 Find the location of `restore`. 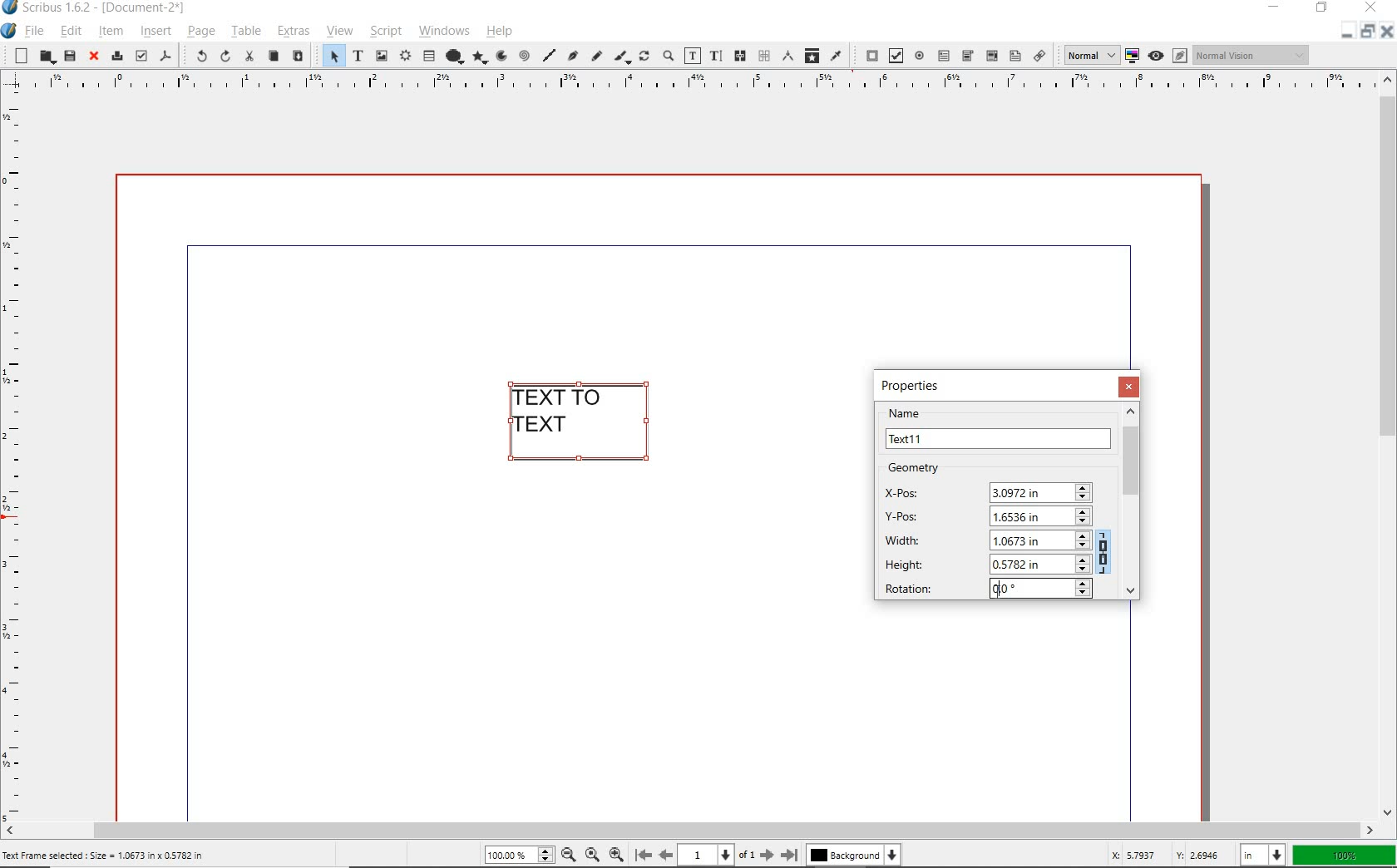

restore is located at coordinates (1370, 34).